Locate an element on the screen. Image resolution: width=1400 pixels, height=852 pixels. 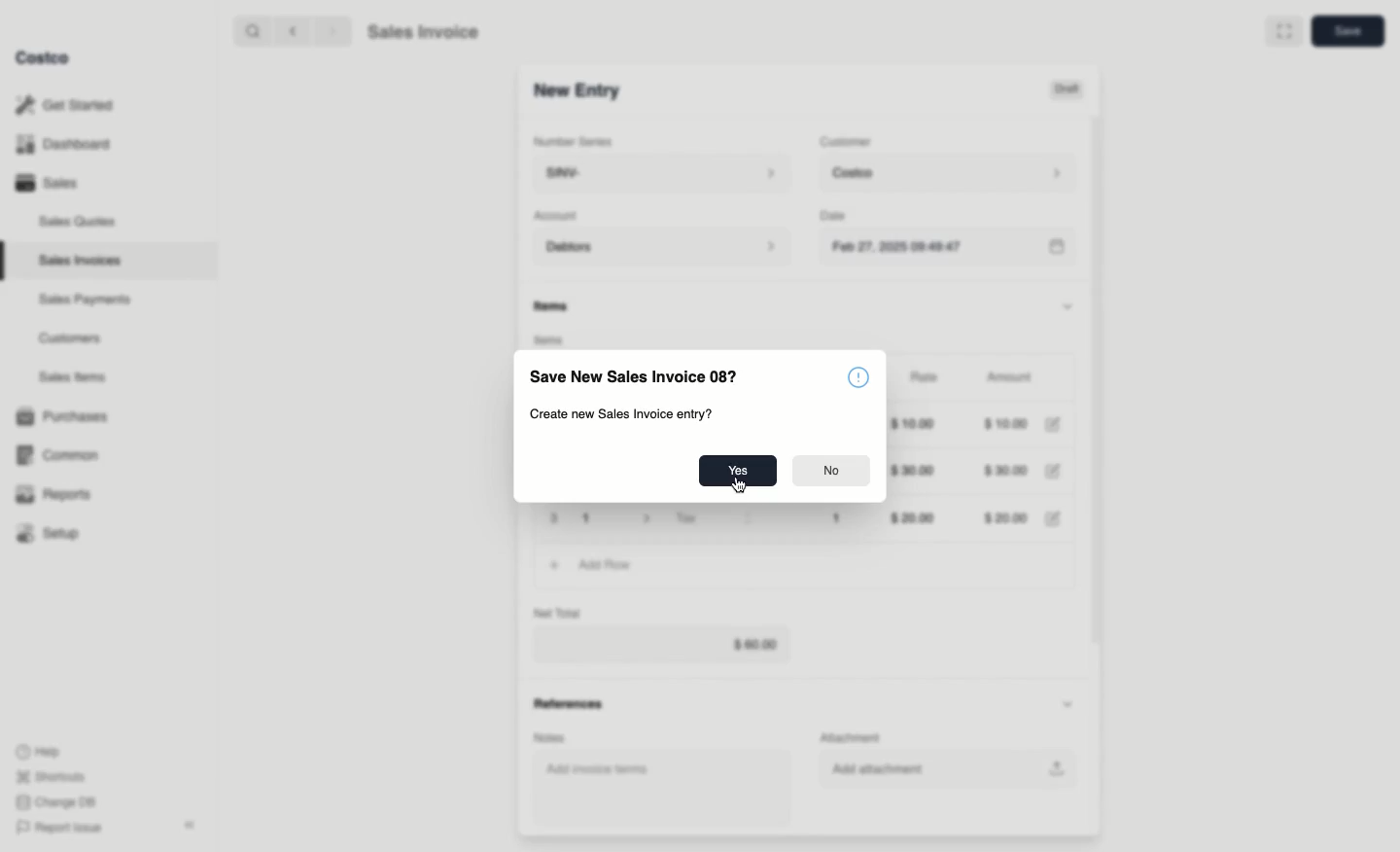
Sales Quotes is located at coordinates (79, 221).